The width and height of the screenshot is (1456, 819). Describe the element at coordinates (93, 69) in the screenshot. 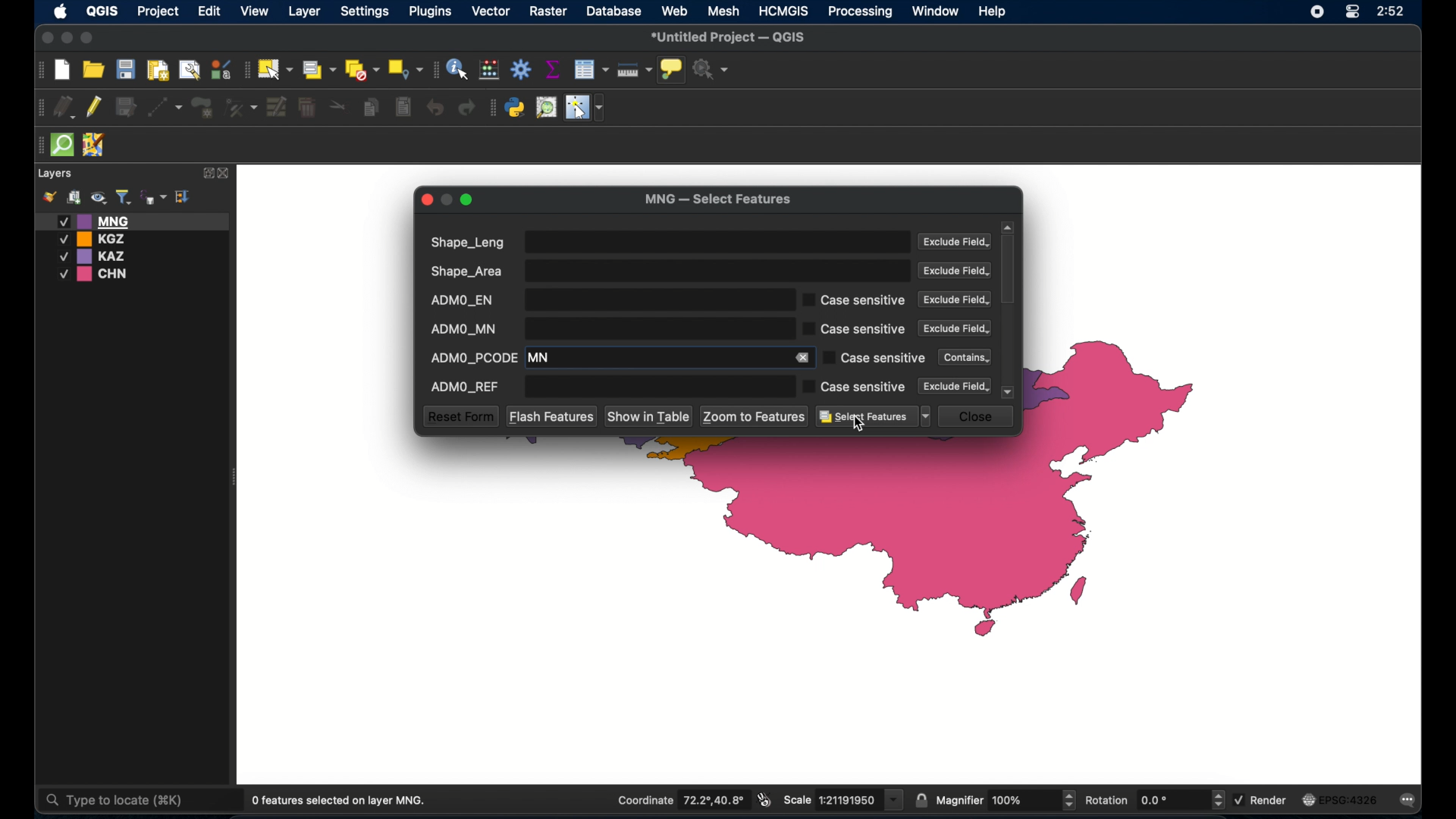

I see `open project` at that location.